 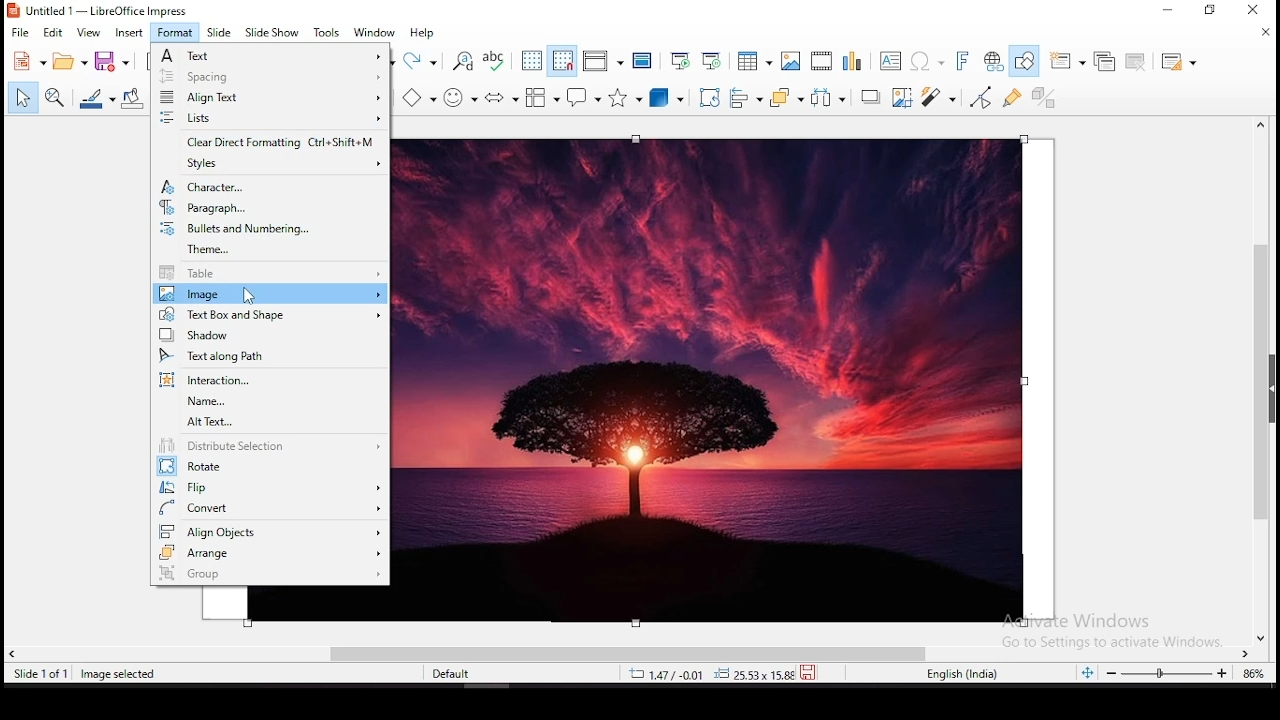 I want to click on scroll bar, so click(x=631, y=652).